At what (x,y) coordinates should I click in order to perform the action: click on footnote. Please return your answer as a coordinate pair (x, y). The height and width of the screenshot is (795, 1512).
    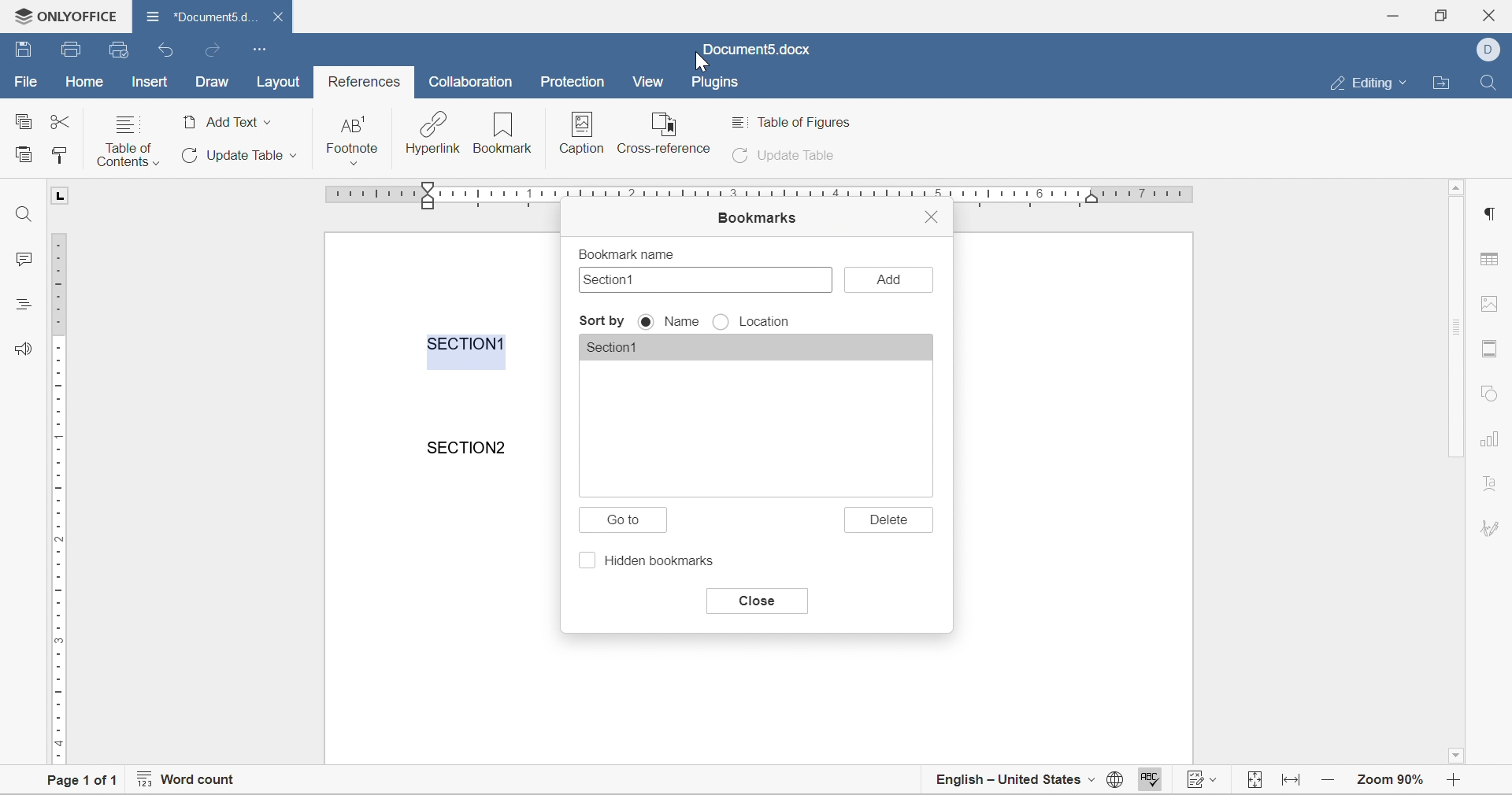
    Looking at the image, I should click on (354, 139).